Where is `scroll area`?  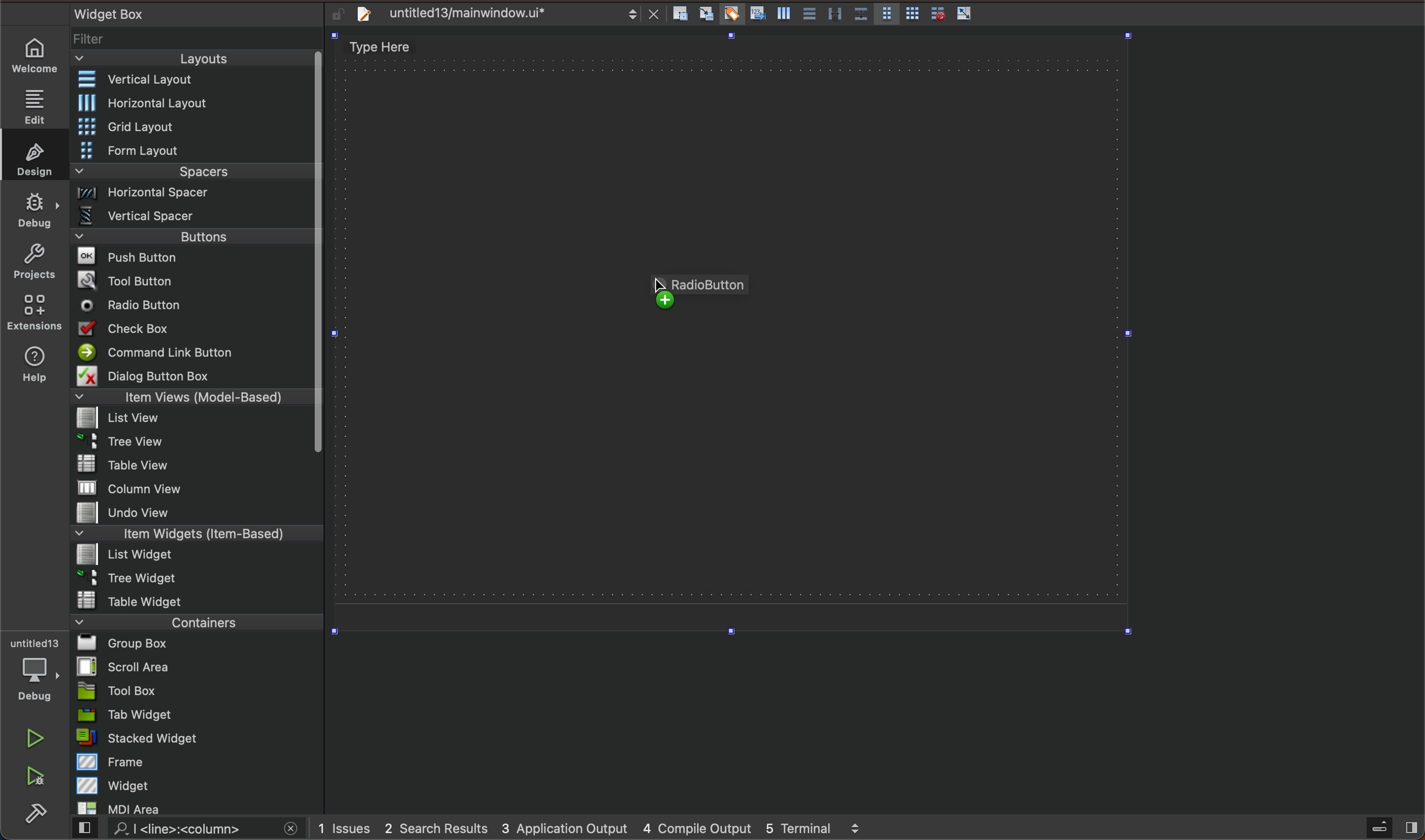
scroll area is located at coordinates (197, 666).